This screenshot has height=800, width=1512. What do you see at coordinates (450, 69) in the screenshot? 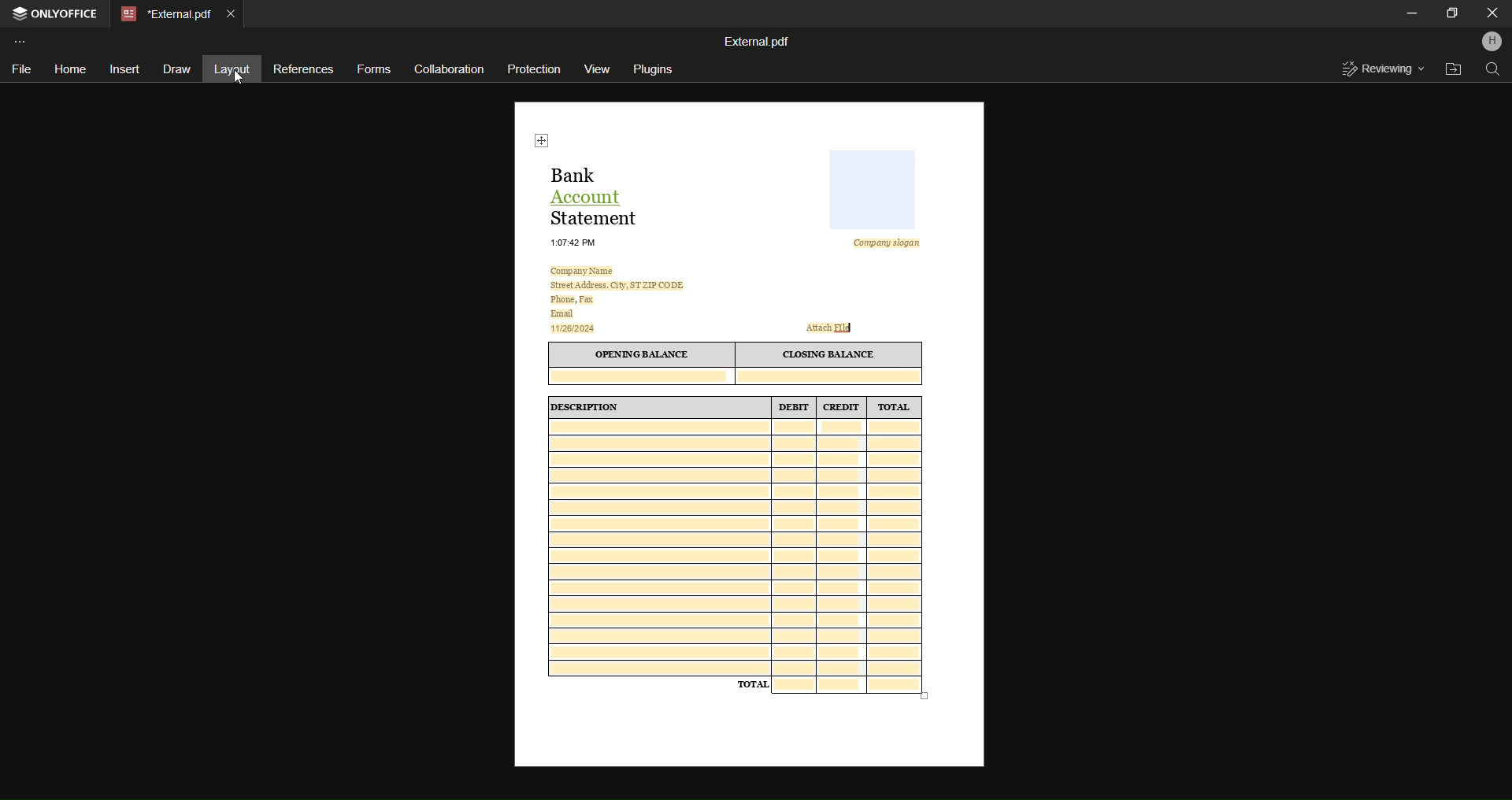
I see `Collaboration` at bounding box center [450, 69].